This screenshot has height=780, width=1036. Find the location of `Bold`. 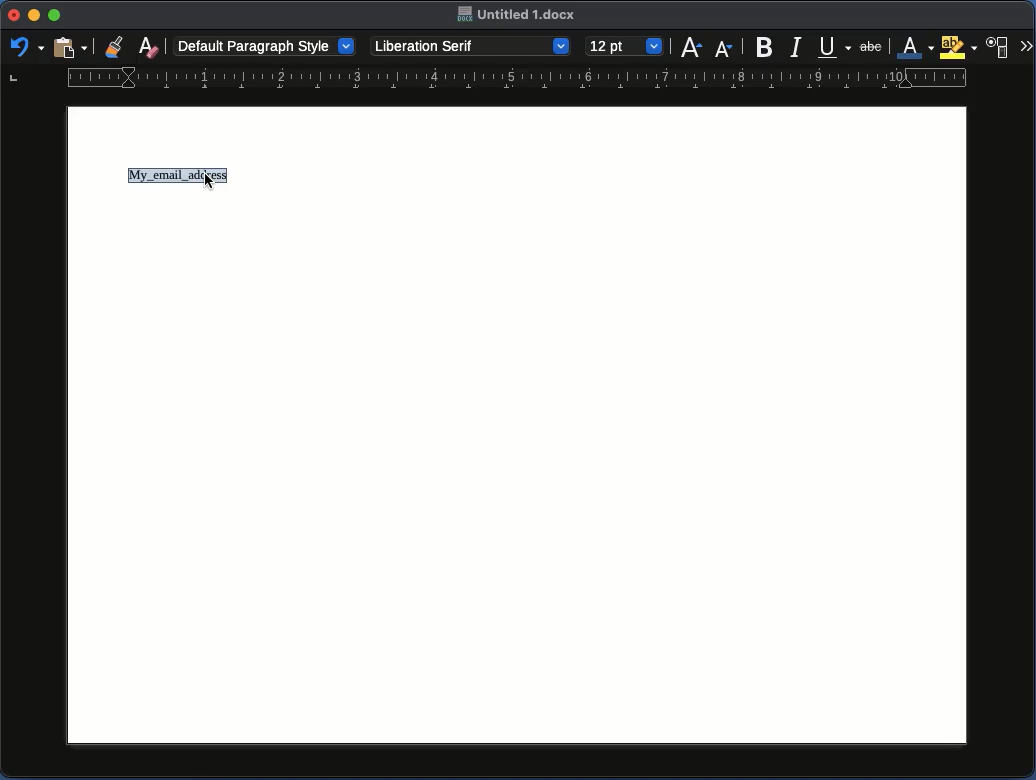

Bold is located at coordinates (765, 47).